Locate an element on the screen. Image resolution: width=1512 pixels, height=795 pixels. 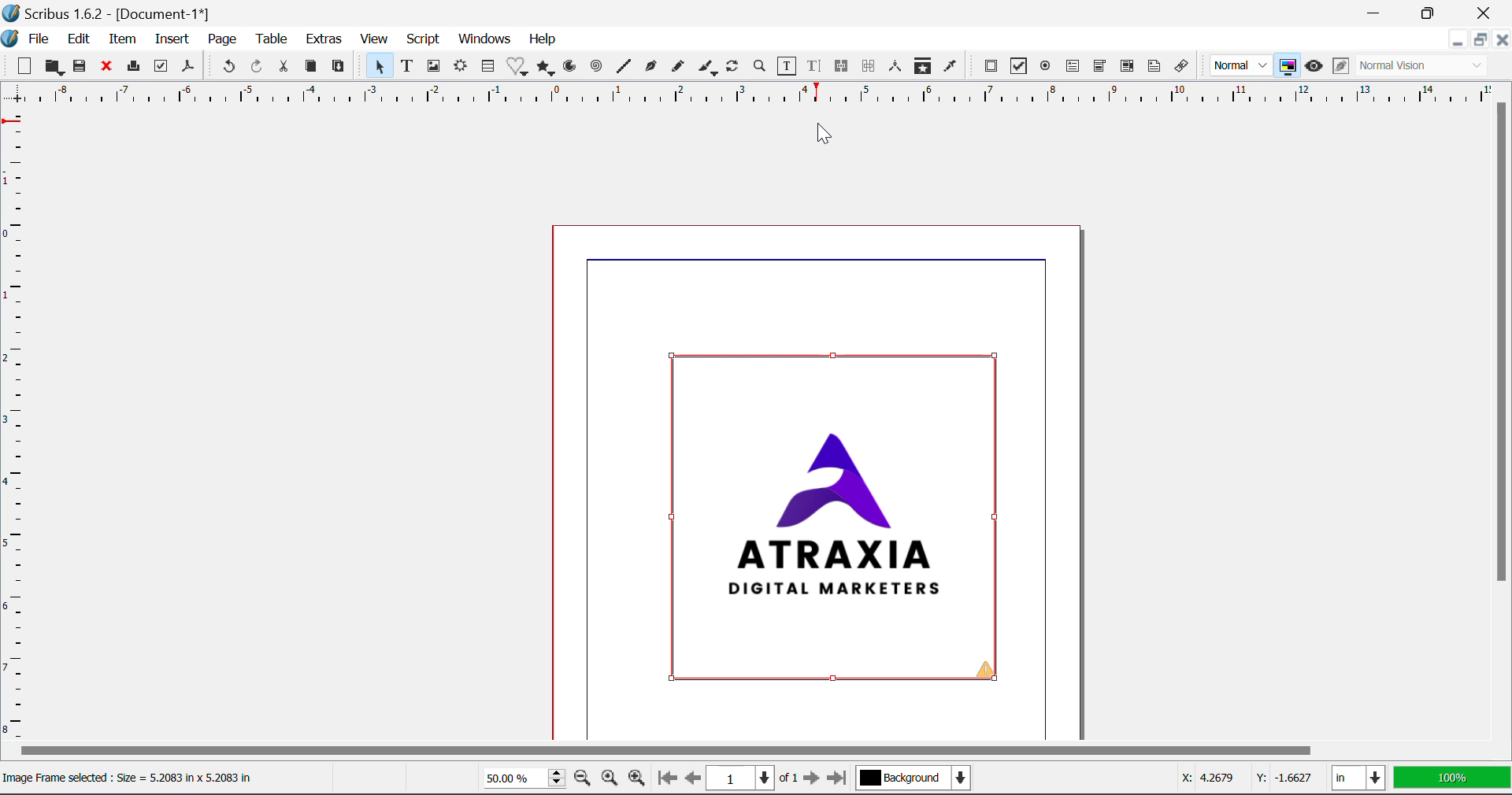
Print is located at coordinates (133, 66).